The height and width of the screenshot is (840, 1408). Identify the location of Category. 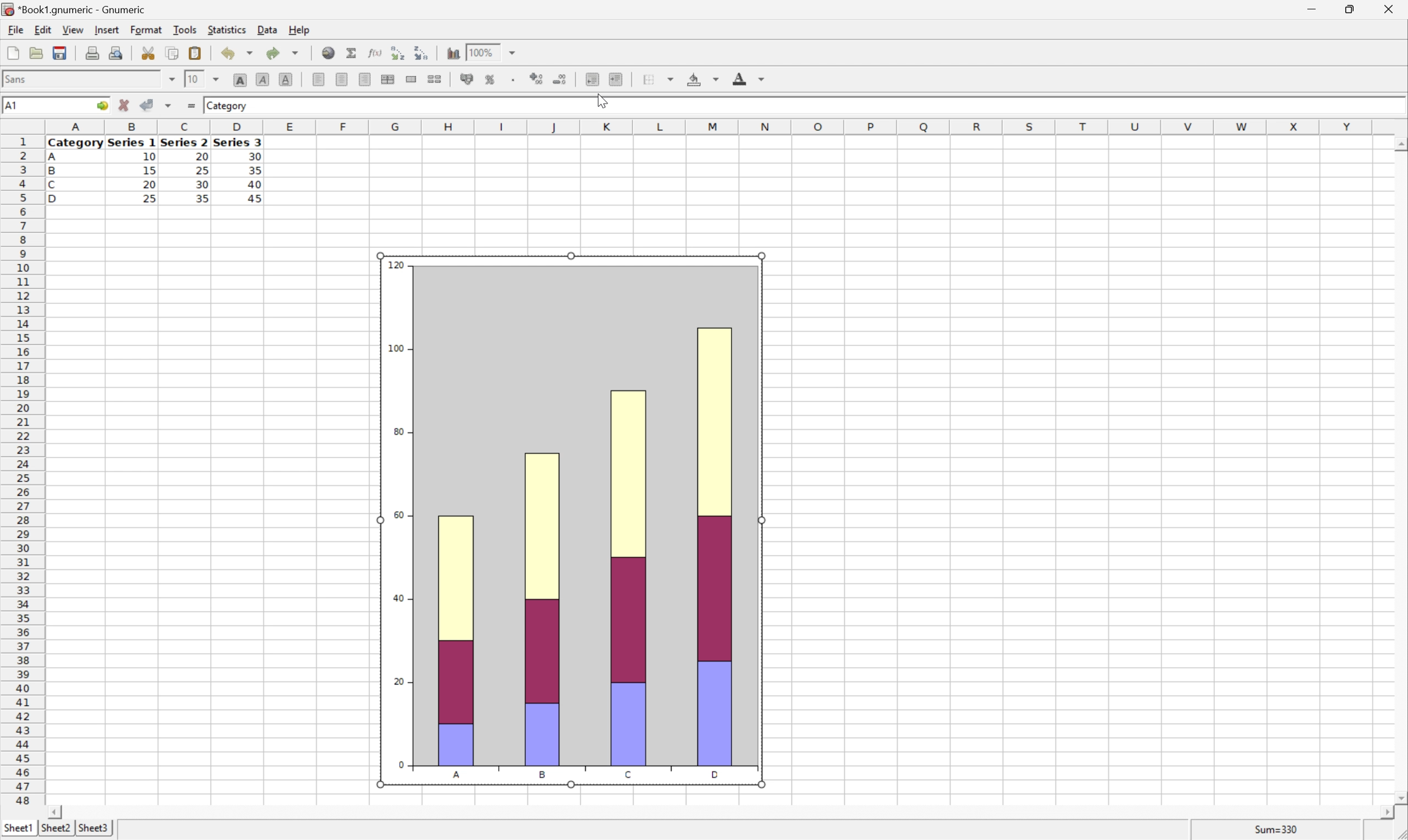
(76, 144).